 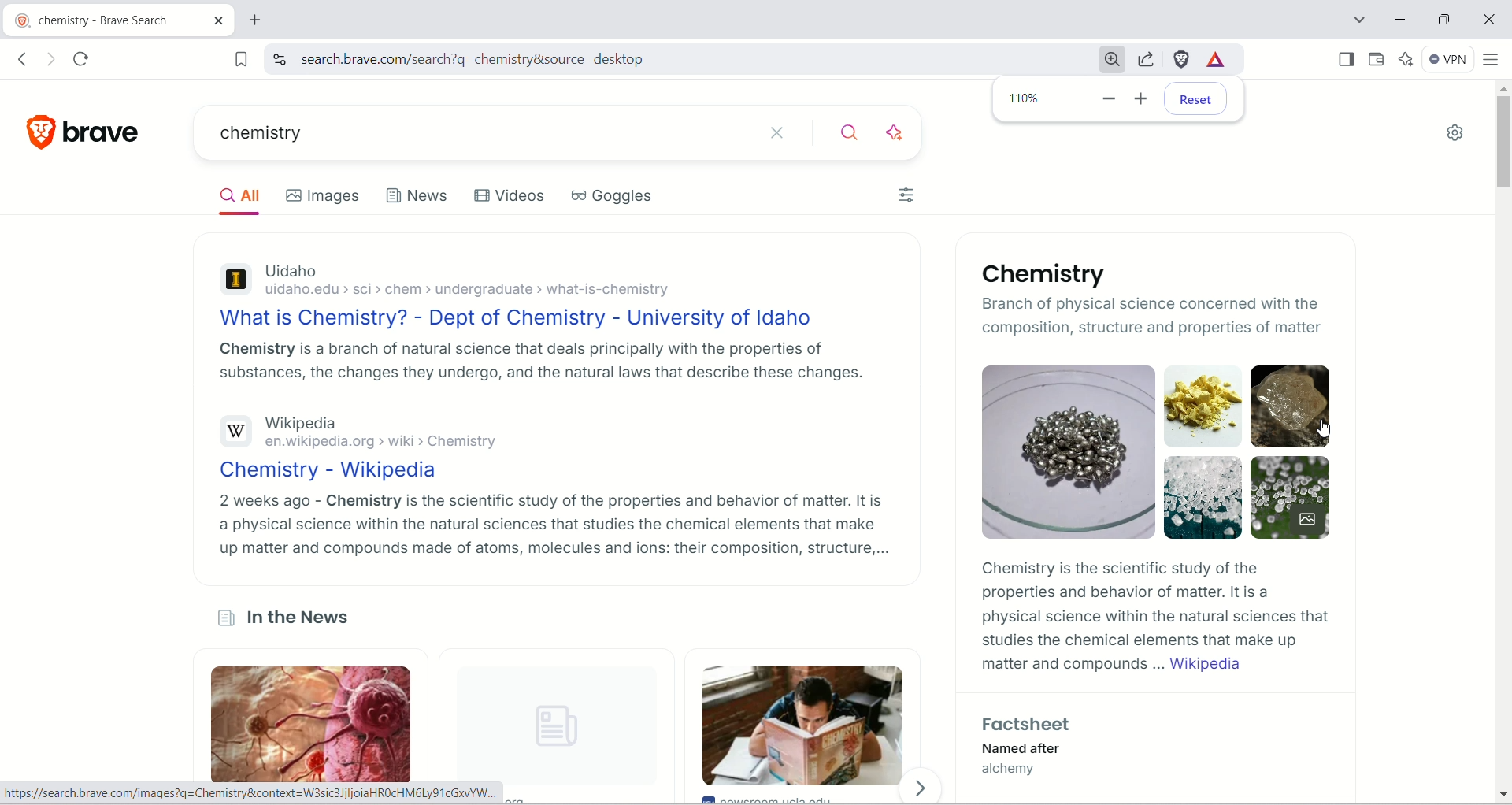 What do you see at coordinates (432, 132) in the screenshot?
I see `current search` at bounding box center [432, 132].